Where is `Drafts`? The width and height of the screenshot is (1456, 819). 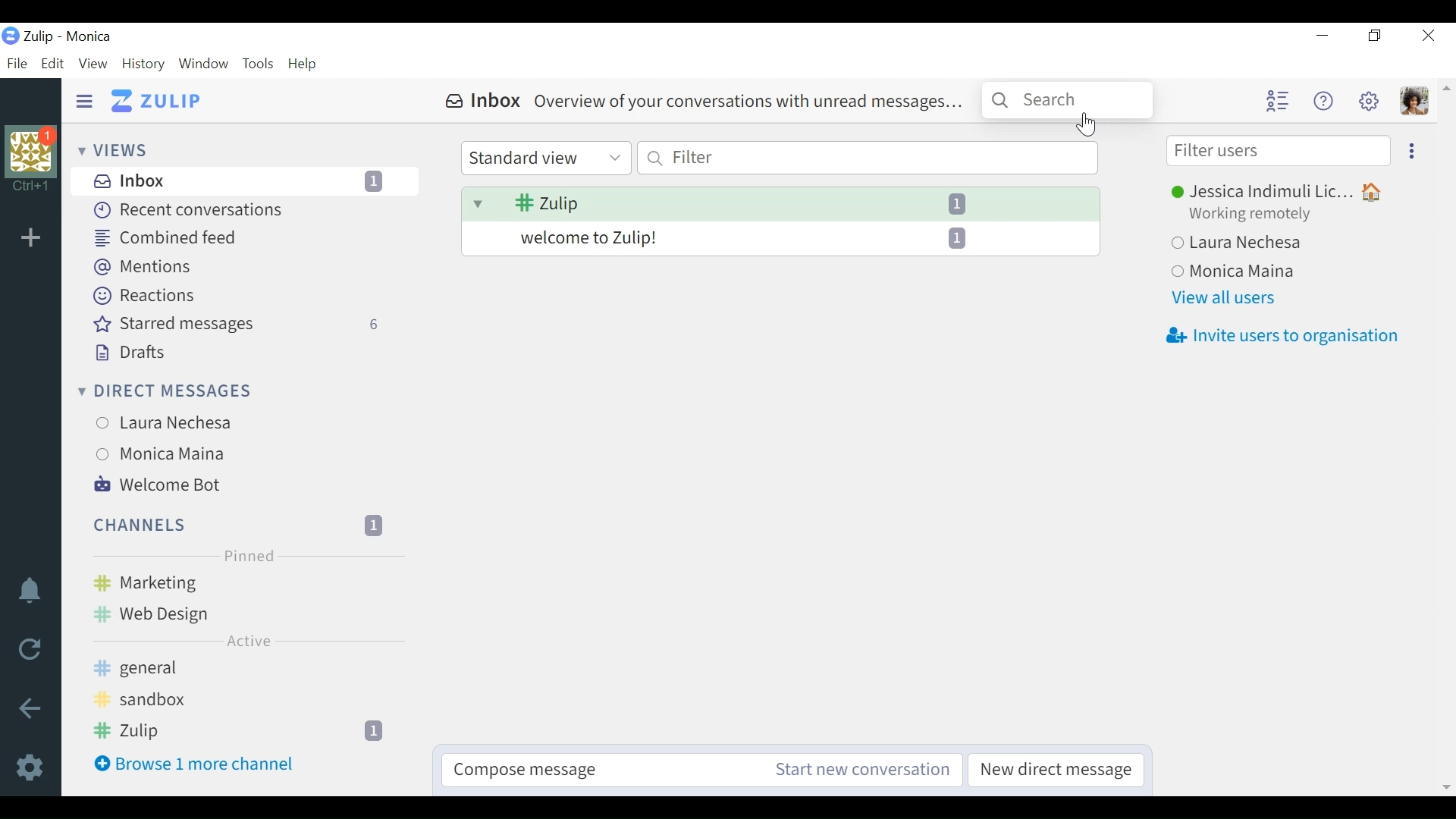 Drafts is located at coordinates (130, 351).